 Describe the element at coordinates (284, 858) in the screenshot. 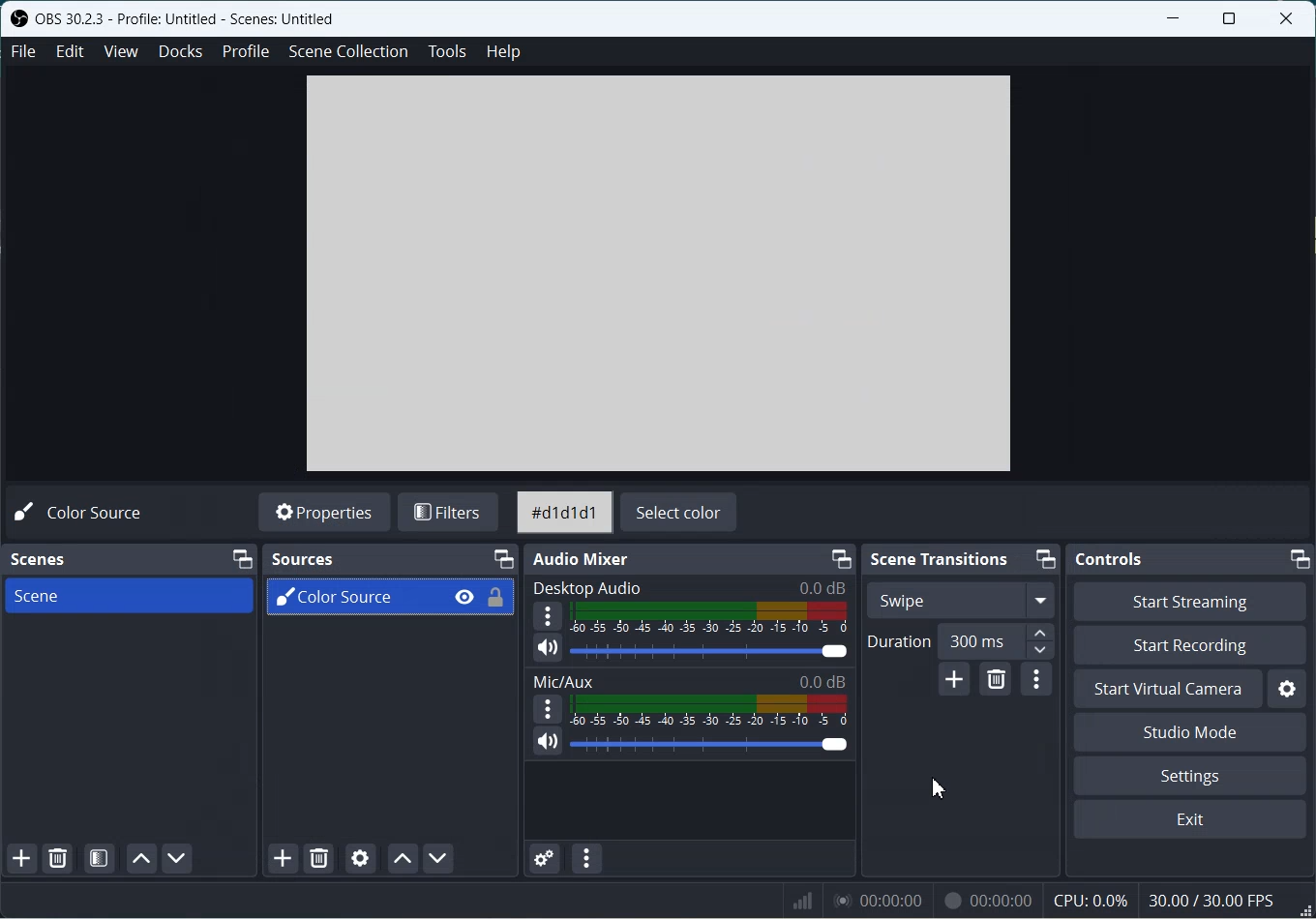

I see `Add Source` at that location.